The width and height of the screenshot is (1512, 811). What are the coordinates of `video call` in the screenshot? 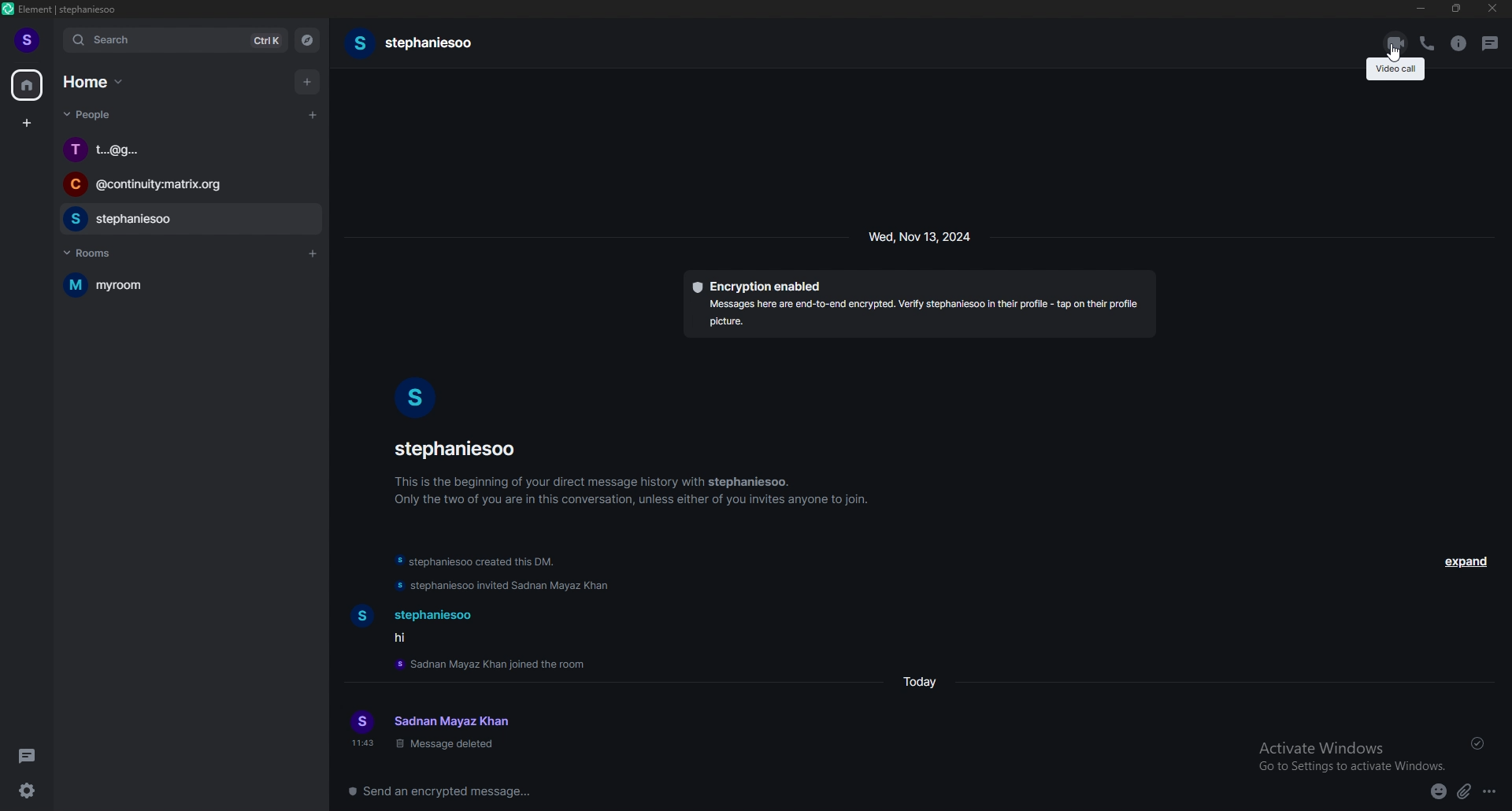 It's located at (1398, 44).